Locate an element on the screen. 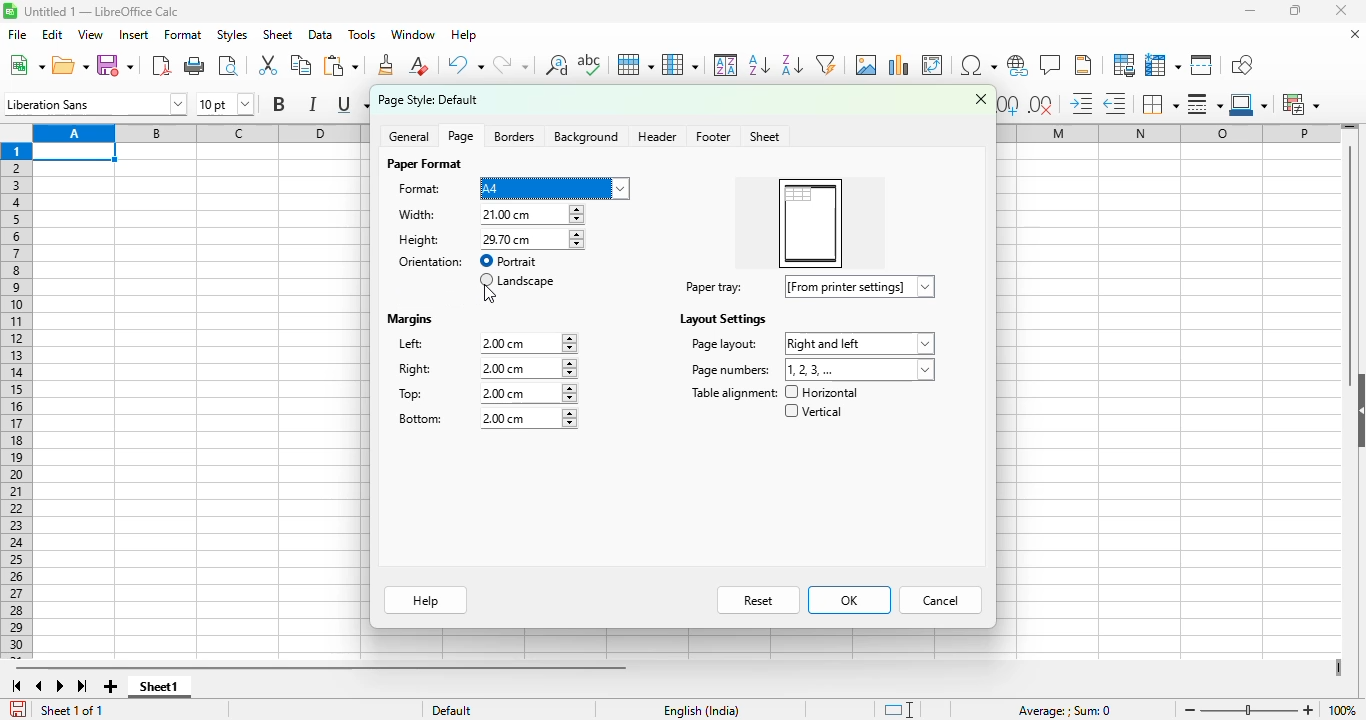 Image resolution: width=1366 pixels, height=720 pixels. insert image is located at coordinates (867, 65).